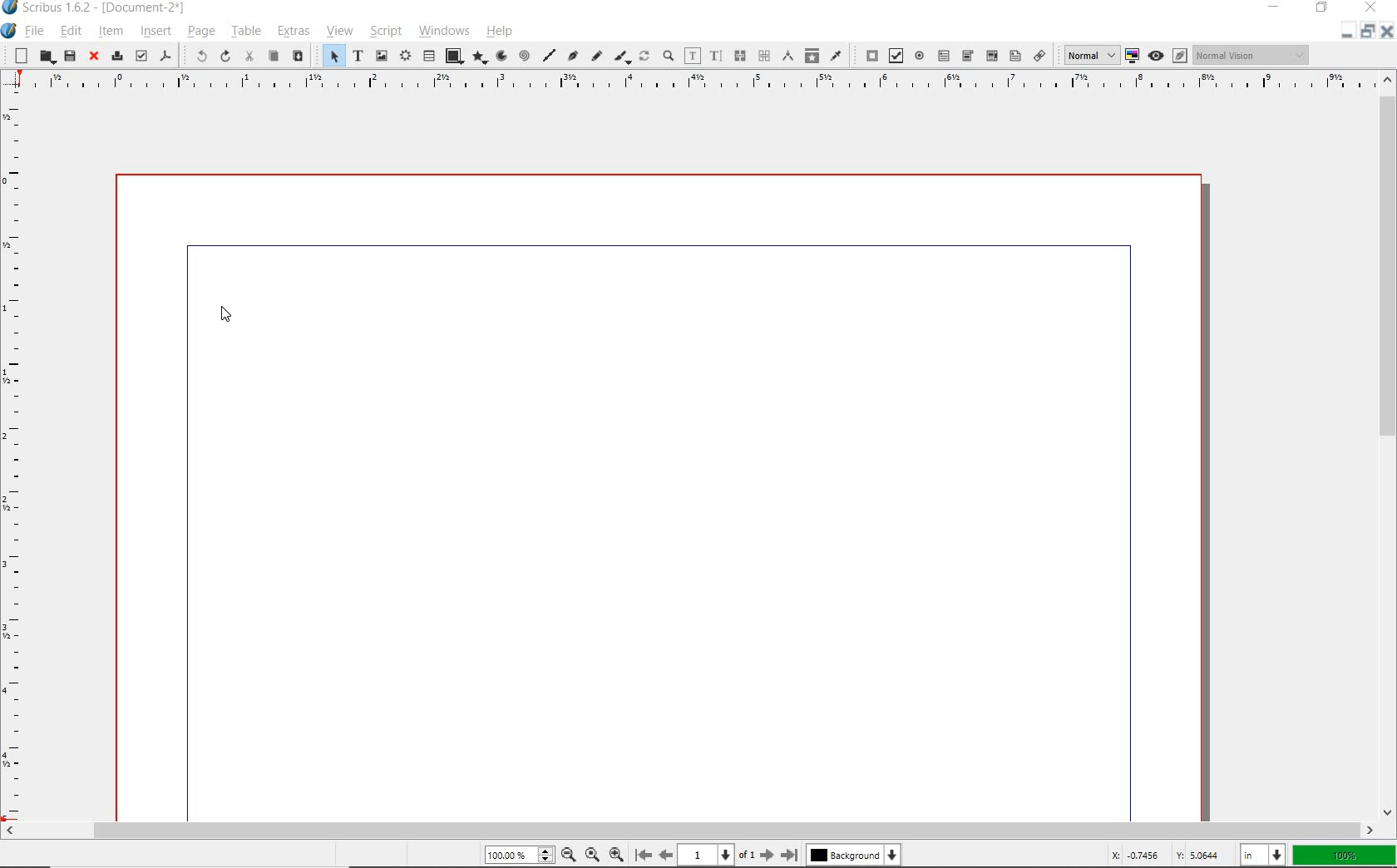  Describe the element at coordinates (141, 56) in the screenshot. I see `preflight verifier` at that location.